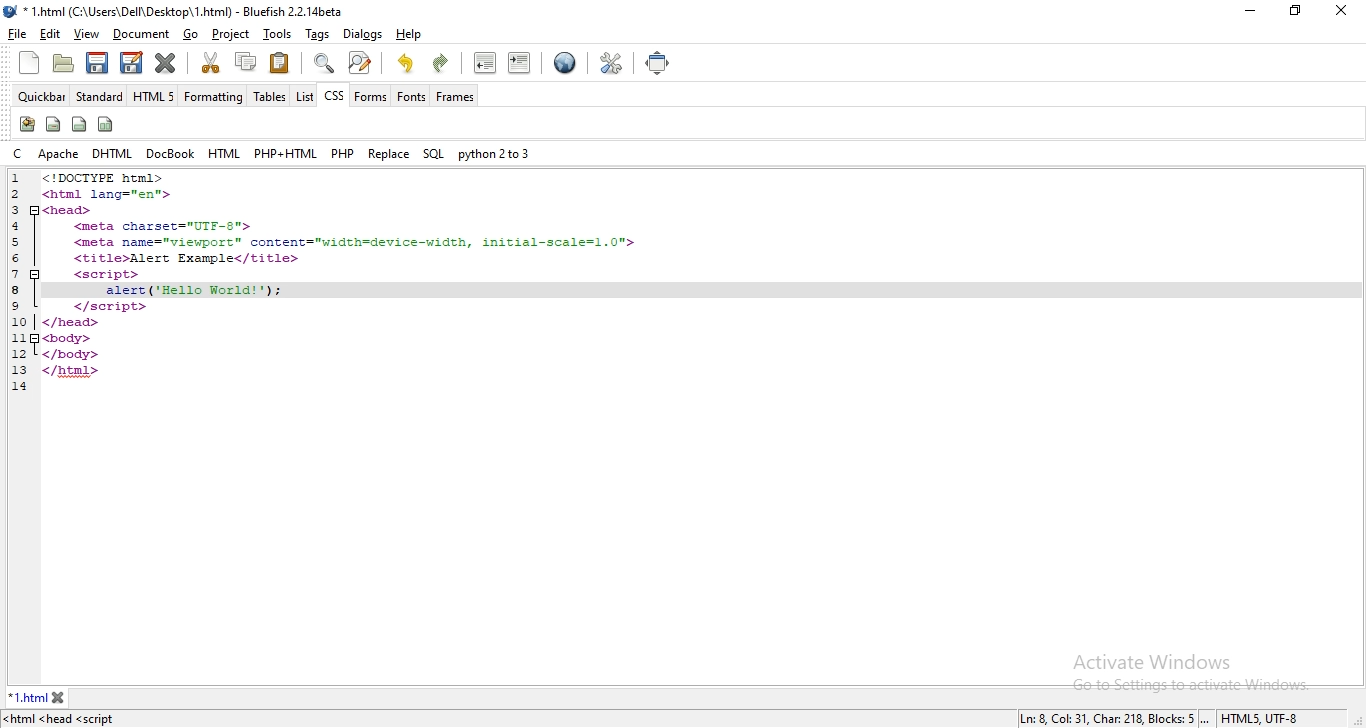  What do you see at coordinates (108, 306) in the screenshot?
I see `</script>` at bounding box center [108, 306].